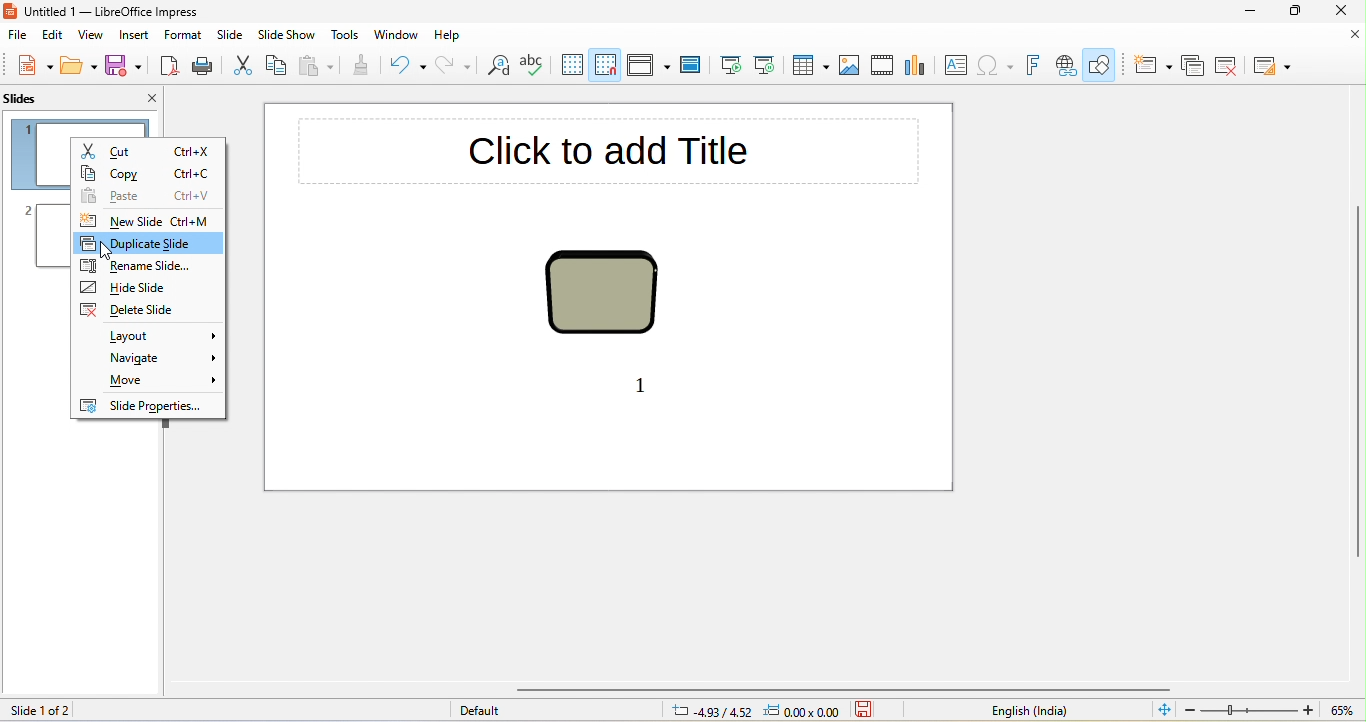  Describe the element at coordinates (712, 711) in the screenshot. I see `4.93/4.52` at that location.